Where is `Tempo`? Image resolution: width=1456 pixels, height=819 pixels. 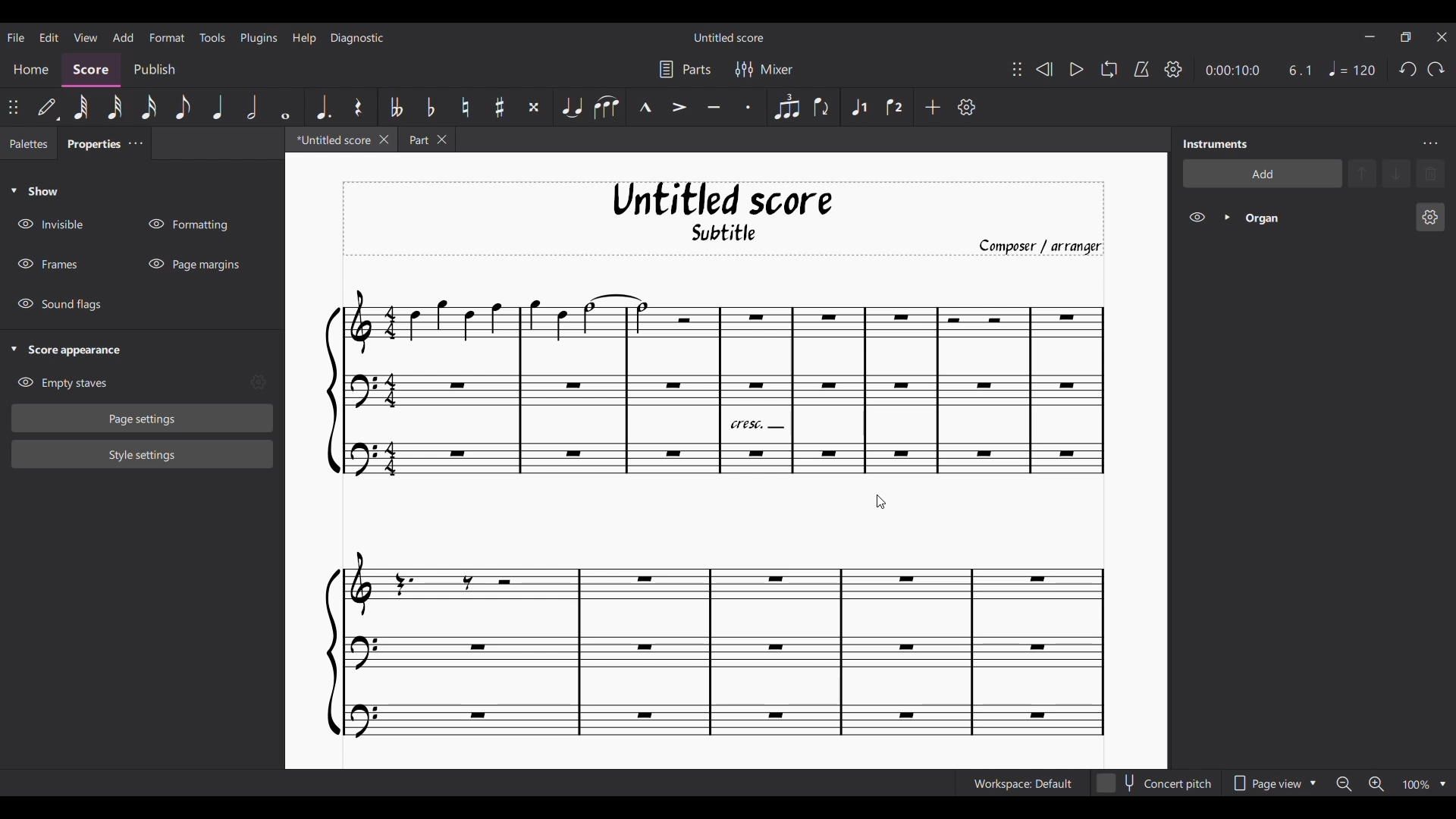
Tempo is located at coordinates (1352, 68).